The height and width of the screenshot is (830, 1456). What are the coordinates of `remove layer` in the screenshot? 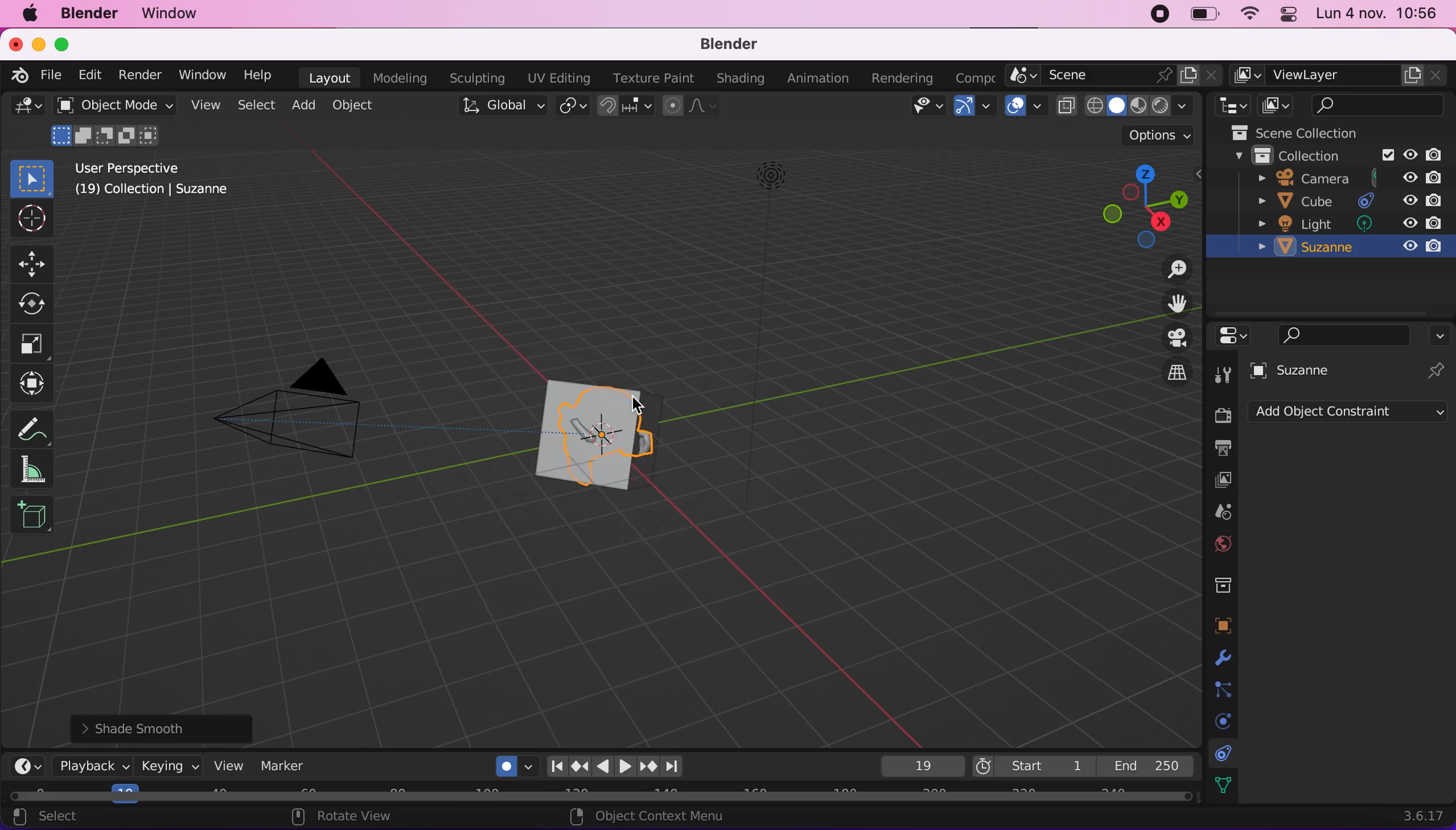 It's located at (1434, 75).